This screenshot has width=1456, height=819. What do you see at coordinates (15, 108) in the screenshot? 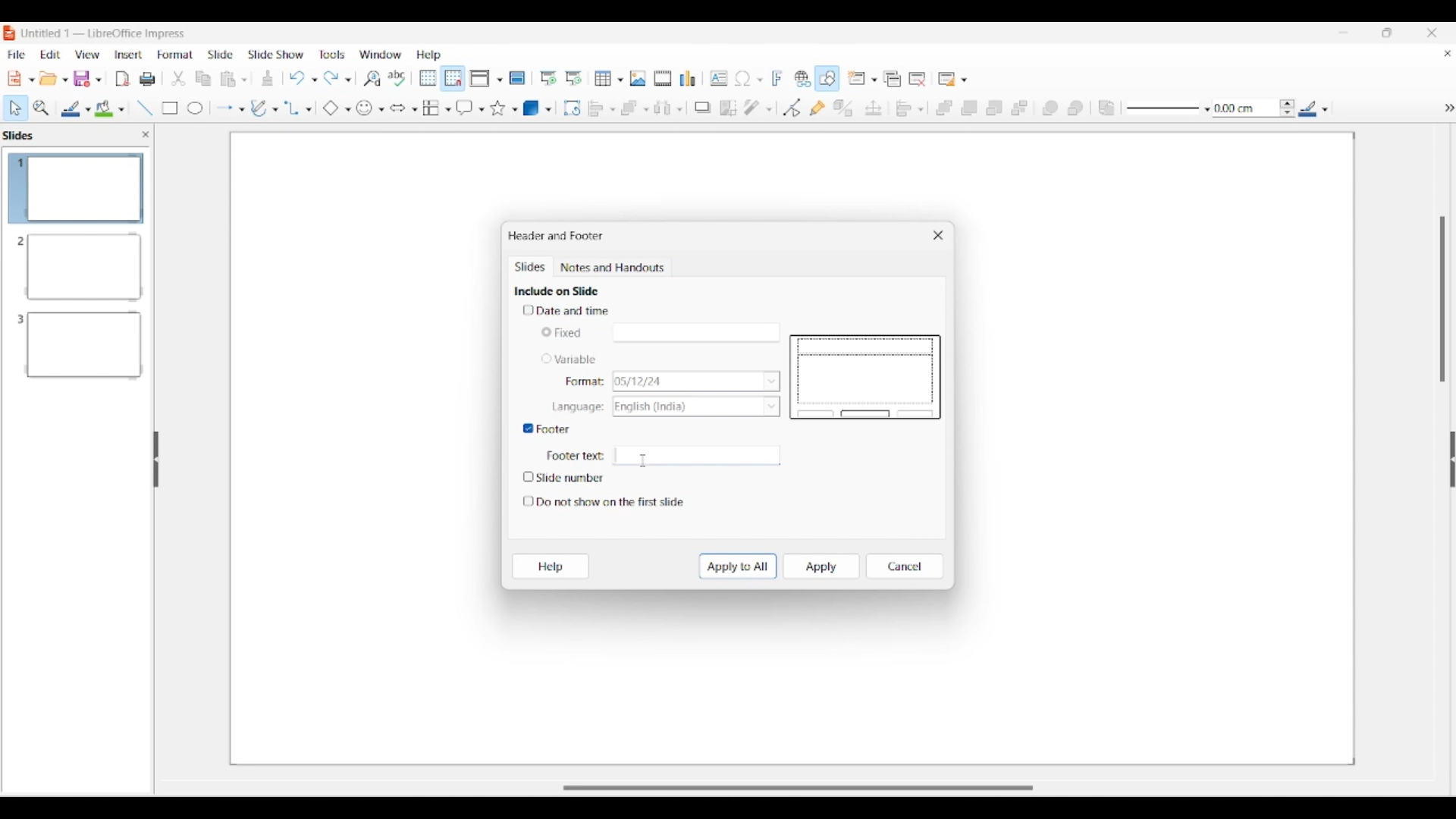
I see `Select option highlighted` at bounding box center [15, 108].